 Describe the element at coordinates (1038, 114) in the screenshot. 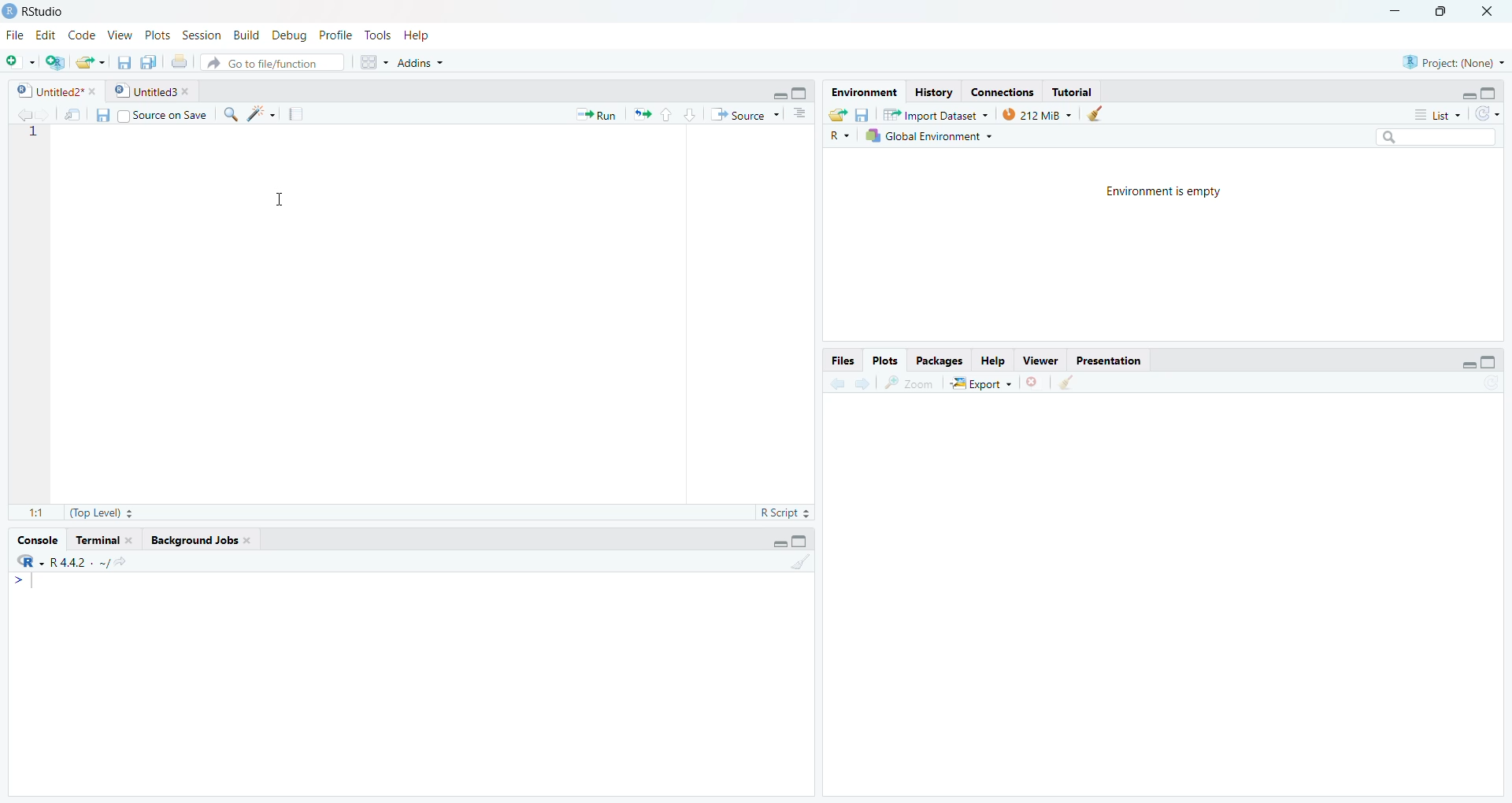

I see `212 MB` at that location.